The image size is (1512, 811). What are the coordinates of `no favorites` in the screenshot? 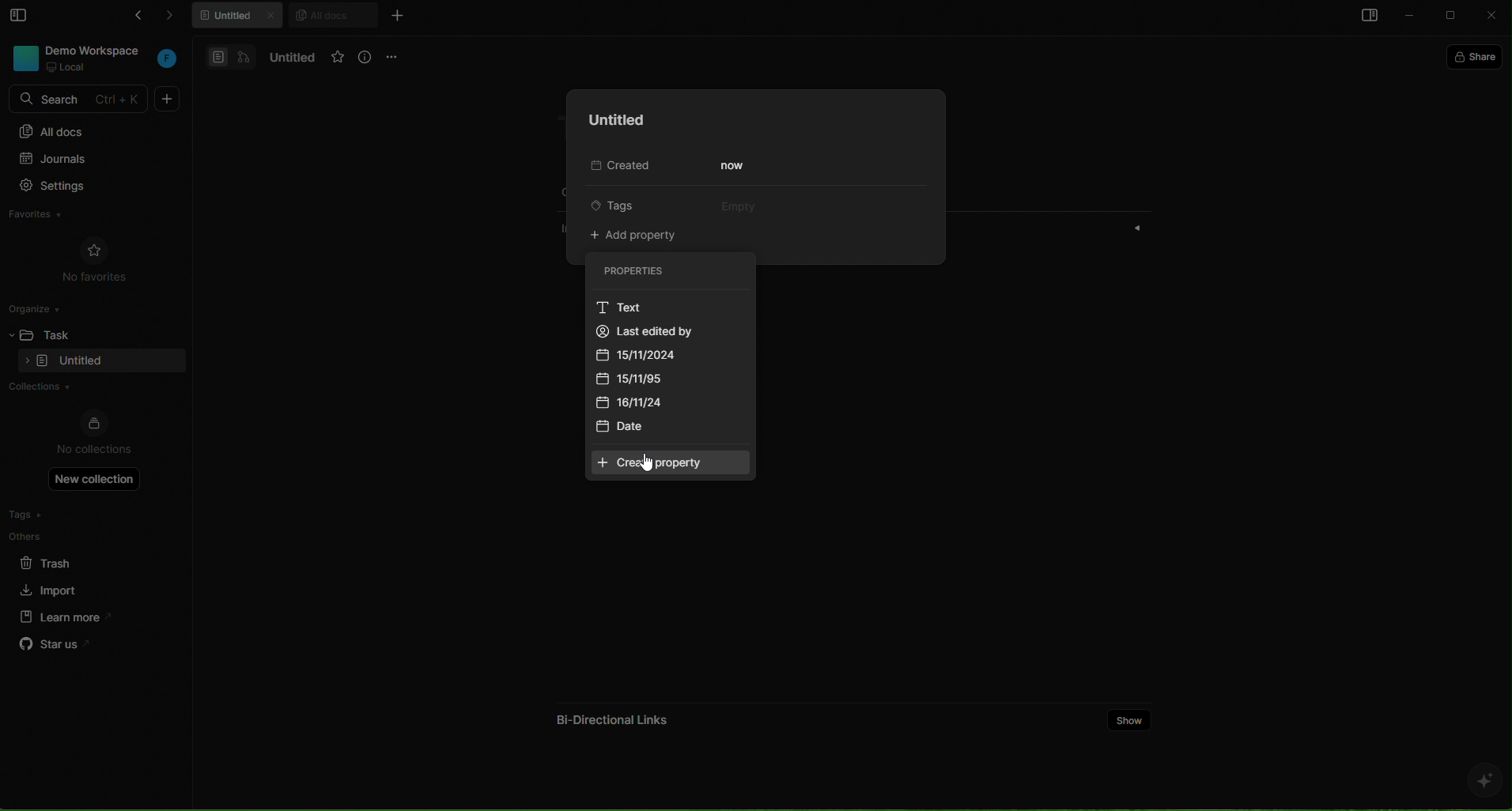 It's located at (95, 258).